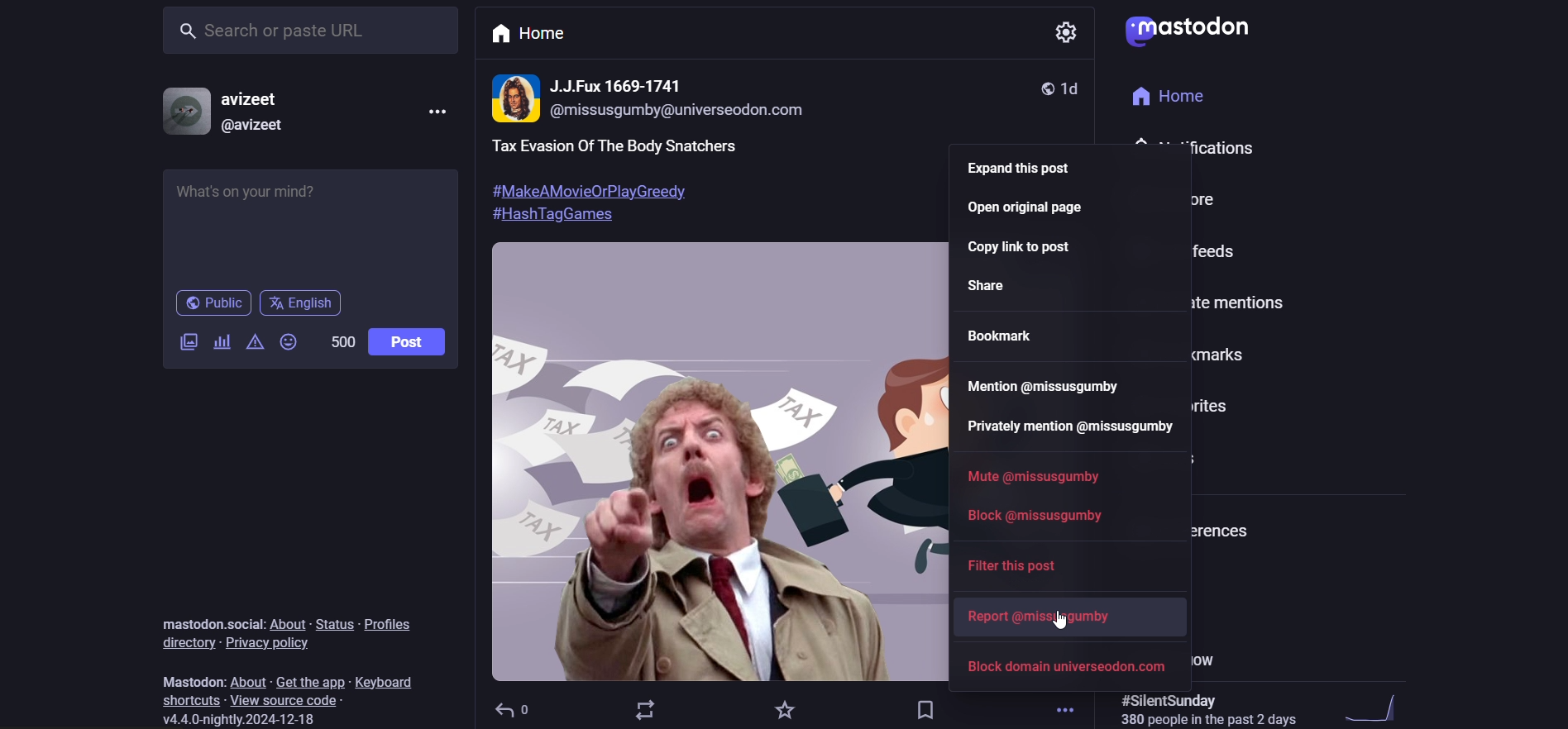  Describe the element at coordinates (989, 288) in the screenshot. I see `share` at that location.